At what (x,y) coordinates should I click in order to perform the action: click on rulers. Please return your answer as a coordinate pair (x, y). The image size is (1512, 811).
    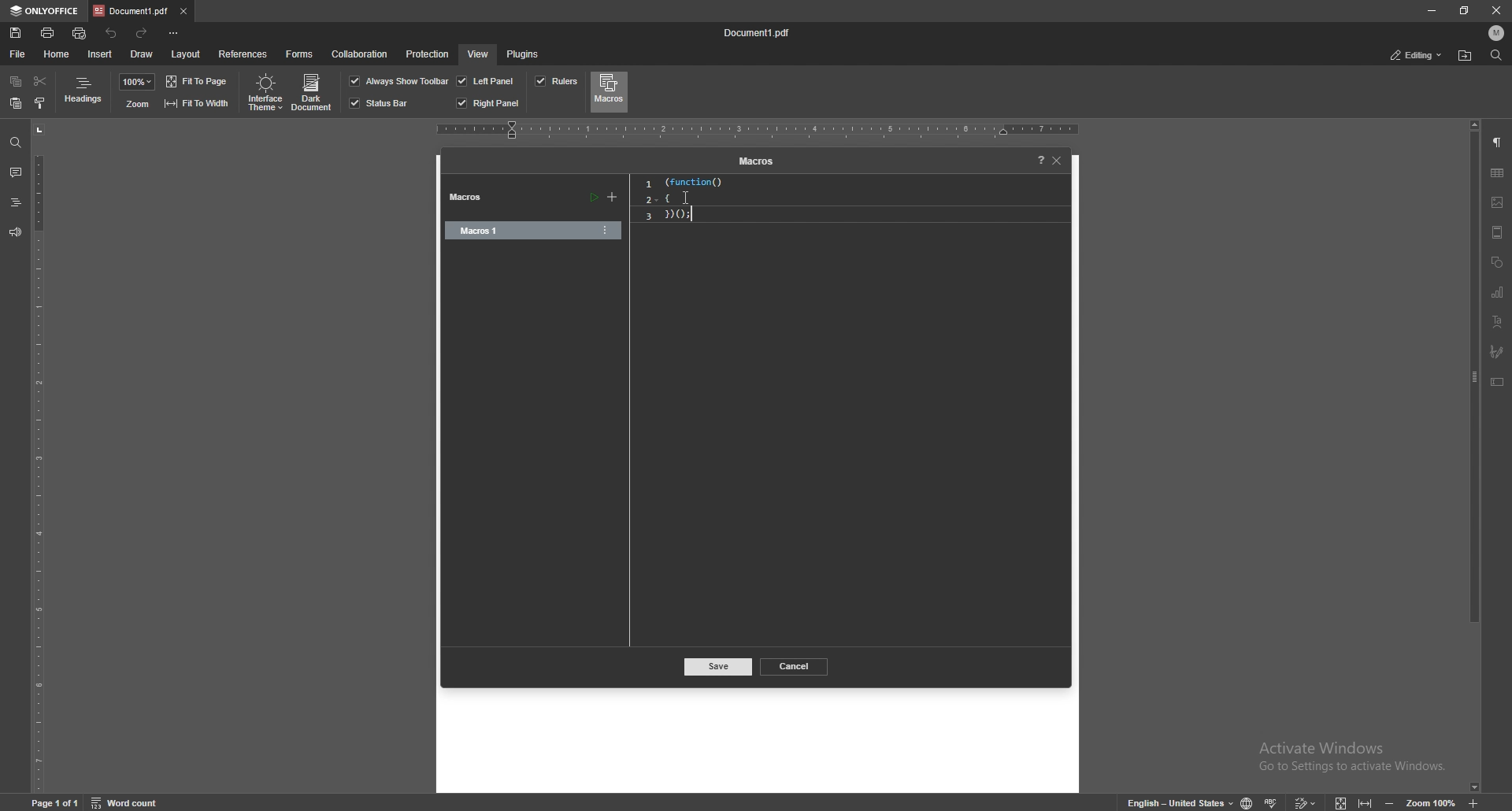
    Looking at the image, I should click on (556, 81).